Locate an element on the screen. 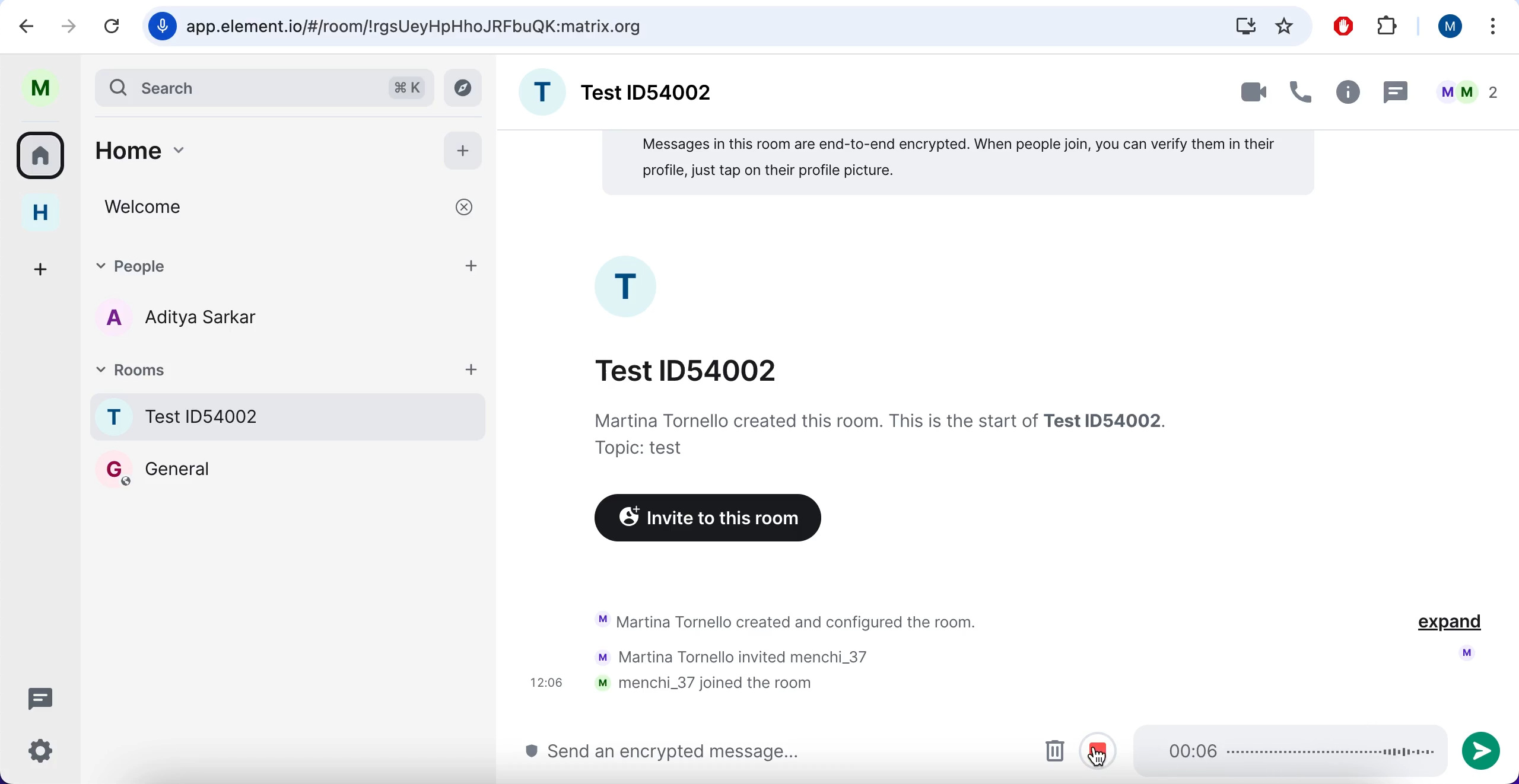 The width and height of the screenshot is (1519, 784). thread is located at coordinates (1397, 90).